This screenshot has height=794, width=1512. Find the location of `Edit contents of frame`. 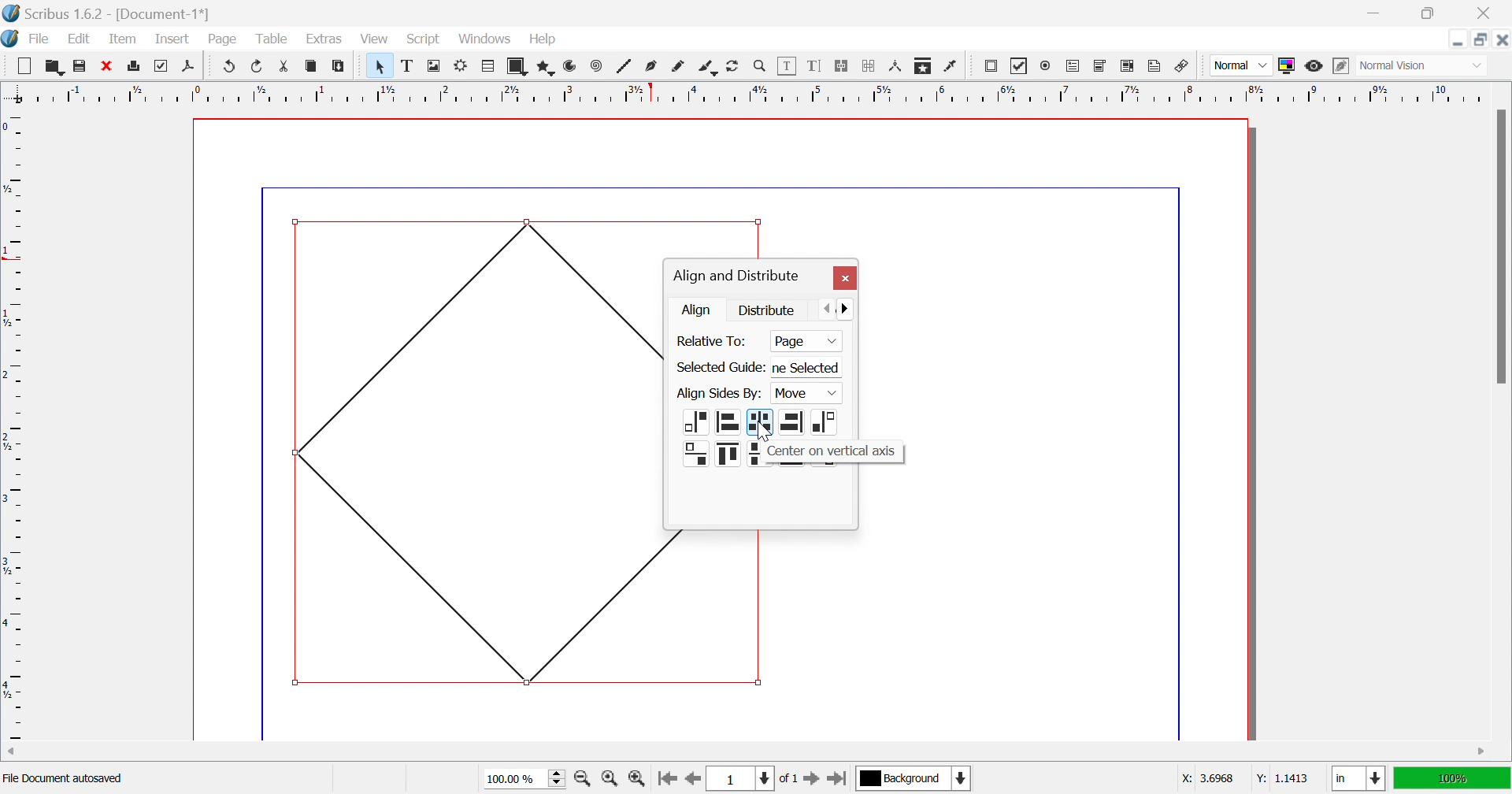

Edit contents of frame is located at coordinates (787, 64).